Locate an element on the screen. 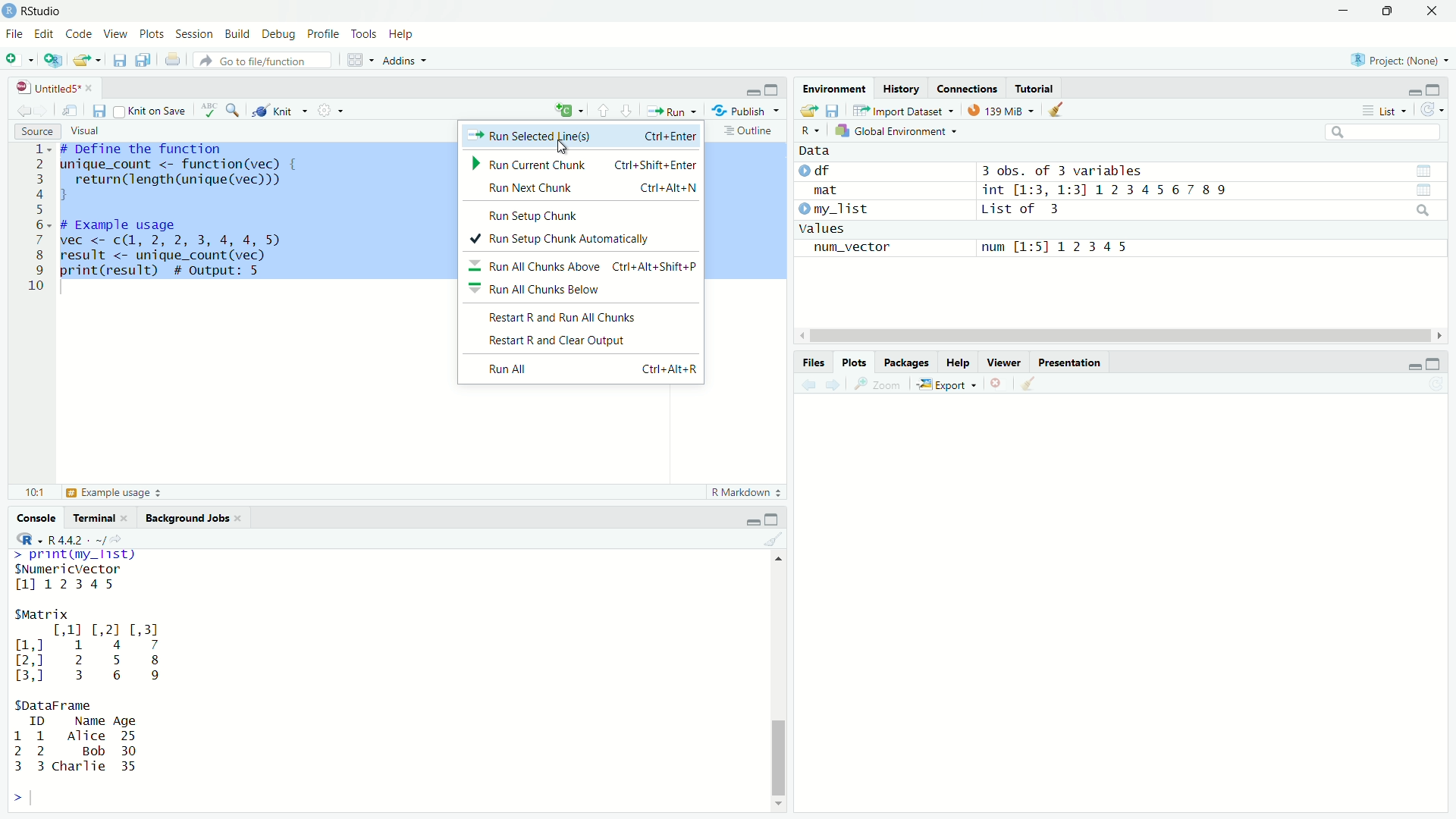 The height and width of the screenshot is (819, 1456). refresh is located at coordinates (1432, 111).